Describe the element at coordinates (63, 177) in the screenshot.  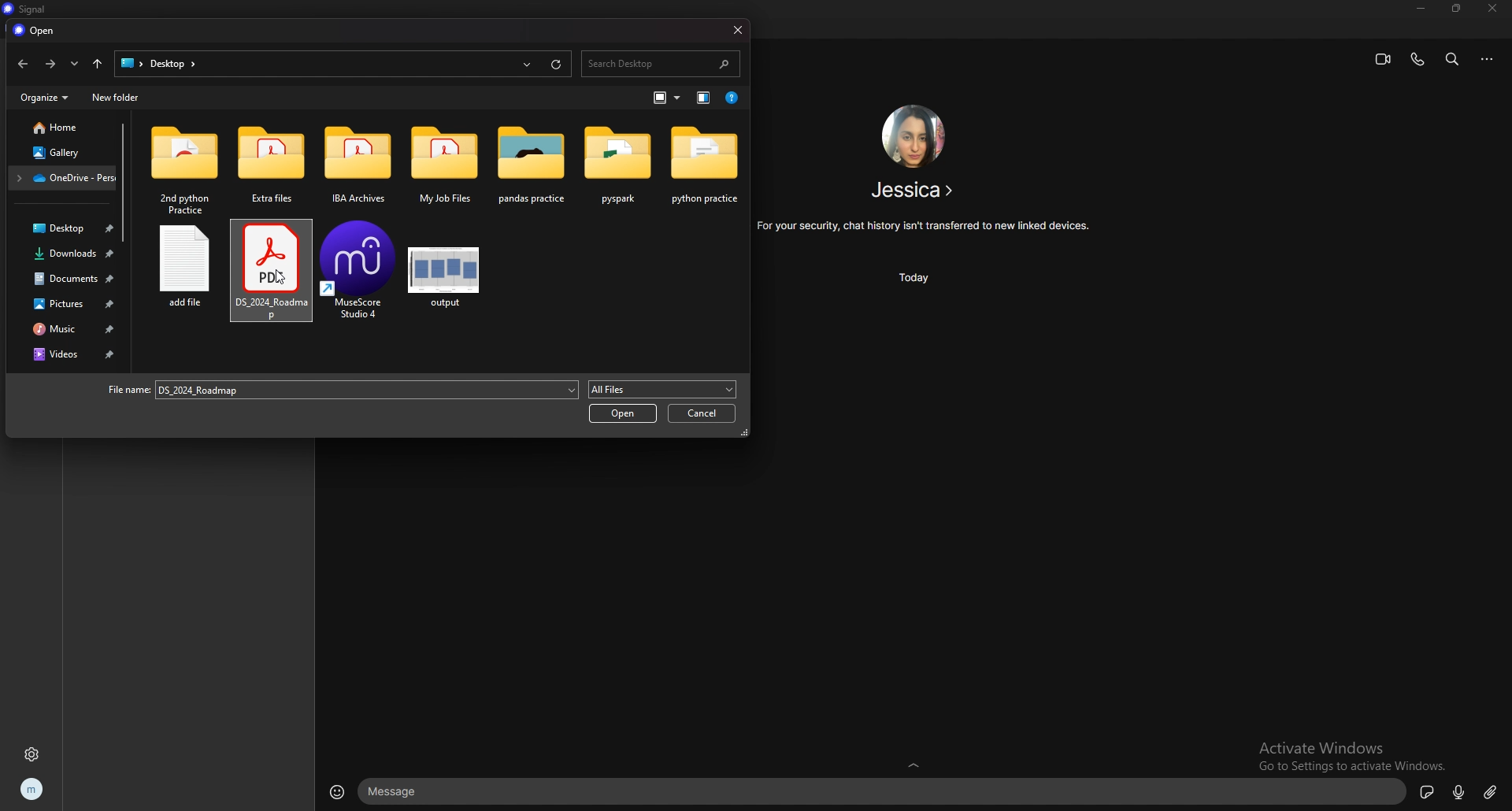
I see `folder` at that location.